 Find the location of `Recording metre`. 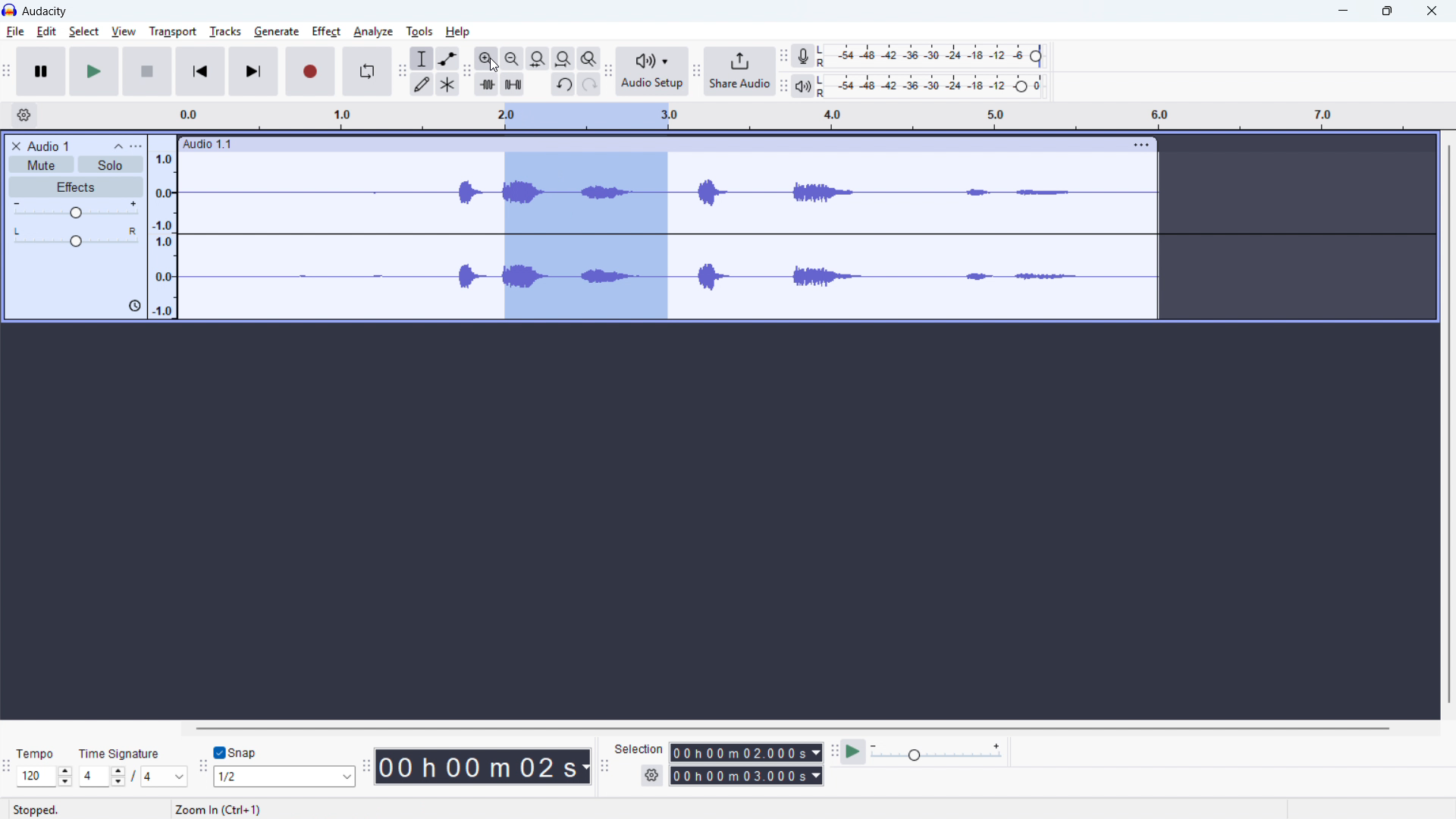

Recording metre is located at coordinates (802, 57).